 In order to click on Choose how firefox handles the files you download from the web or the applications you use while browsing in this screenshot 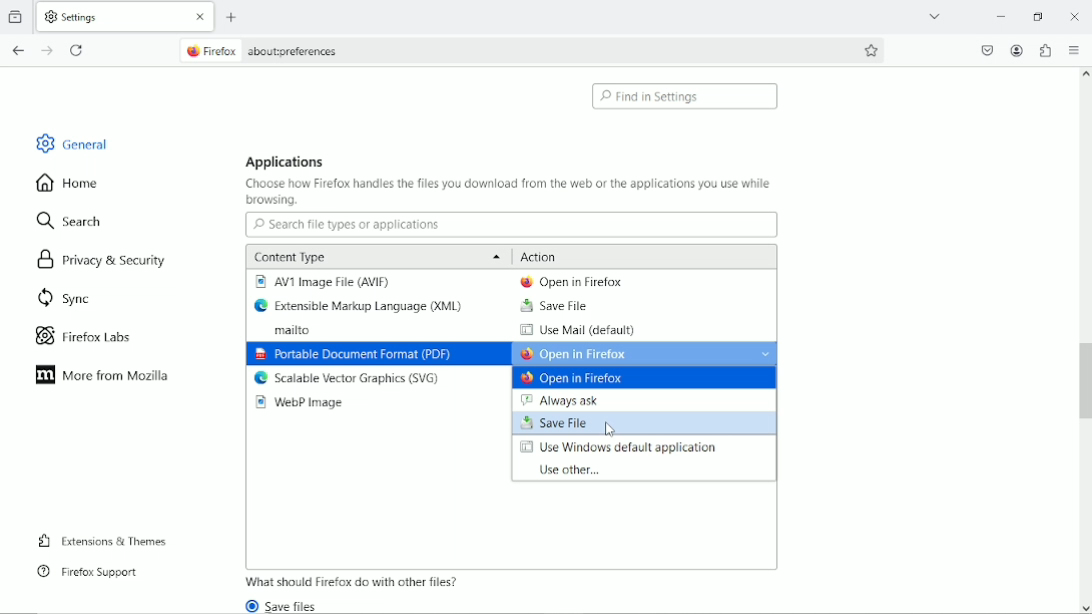, I will do `click(509, 193)`.